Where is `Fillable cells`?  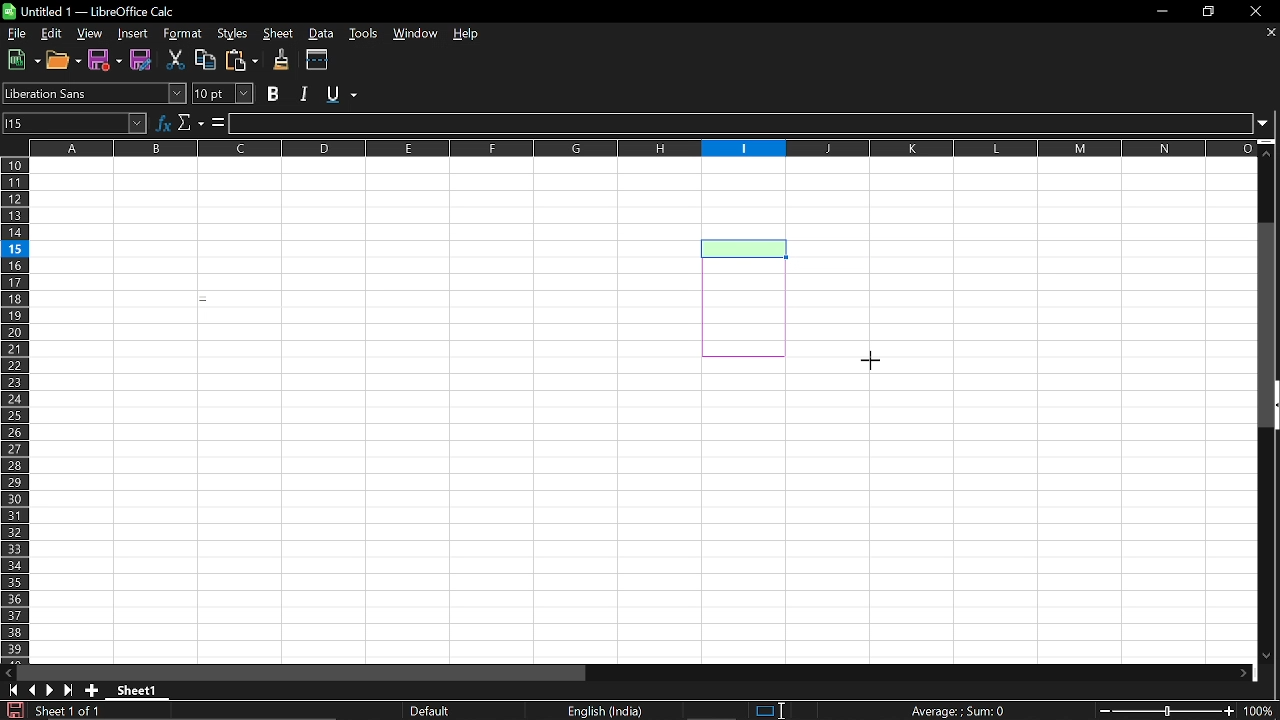
Fillable cells is located at coordinates (366, 411).